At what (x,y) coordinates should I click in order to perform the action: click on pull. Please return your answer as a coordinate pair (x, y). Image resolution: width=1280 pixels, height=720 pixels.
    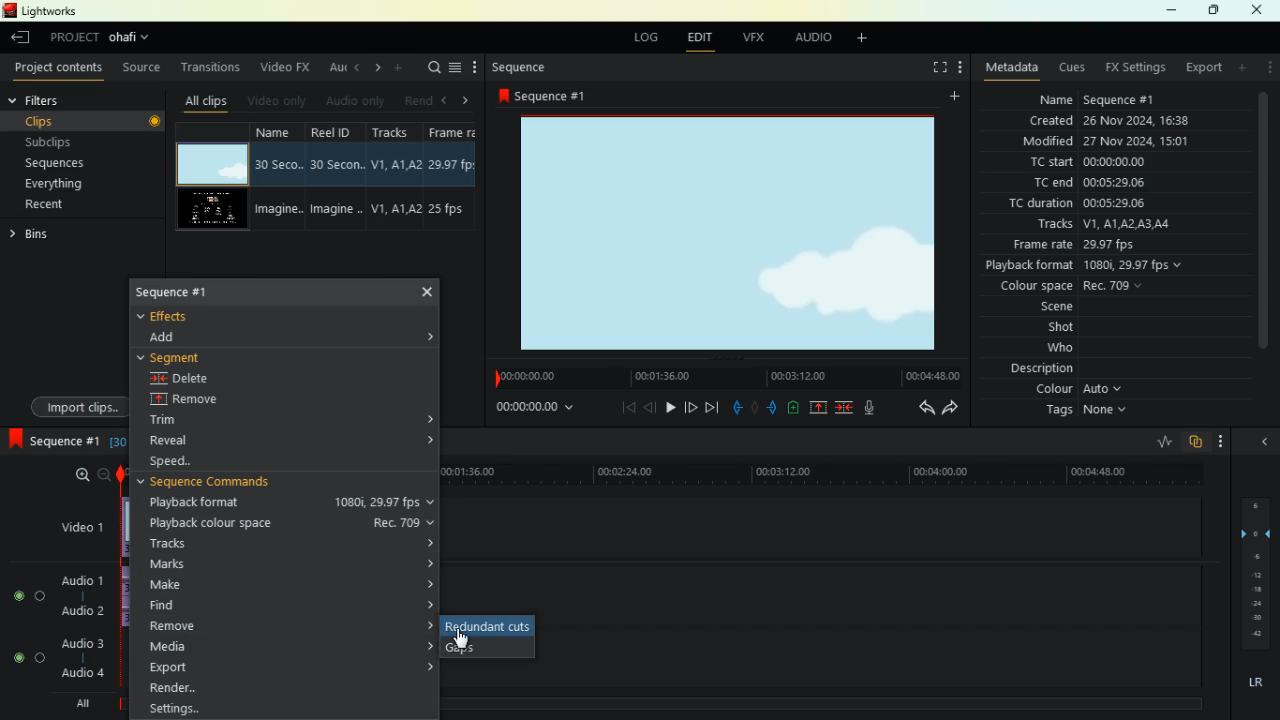
    Looking at the image, I should click on (734, 405).